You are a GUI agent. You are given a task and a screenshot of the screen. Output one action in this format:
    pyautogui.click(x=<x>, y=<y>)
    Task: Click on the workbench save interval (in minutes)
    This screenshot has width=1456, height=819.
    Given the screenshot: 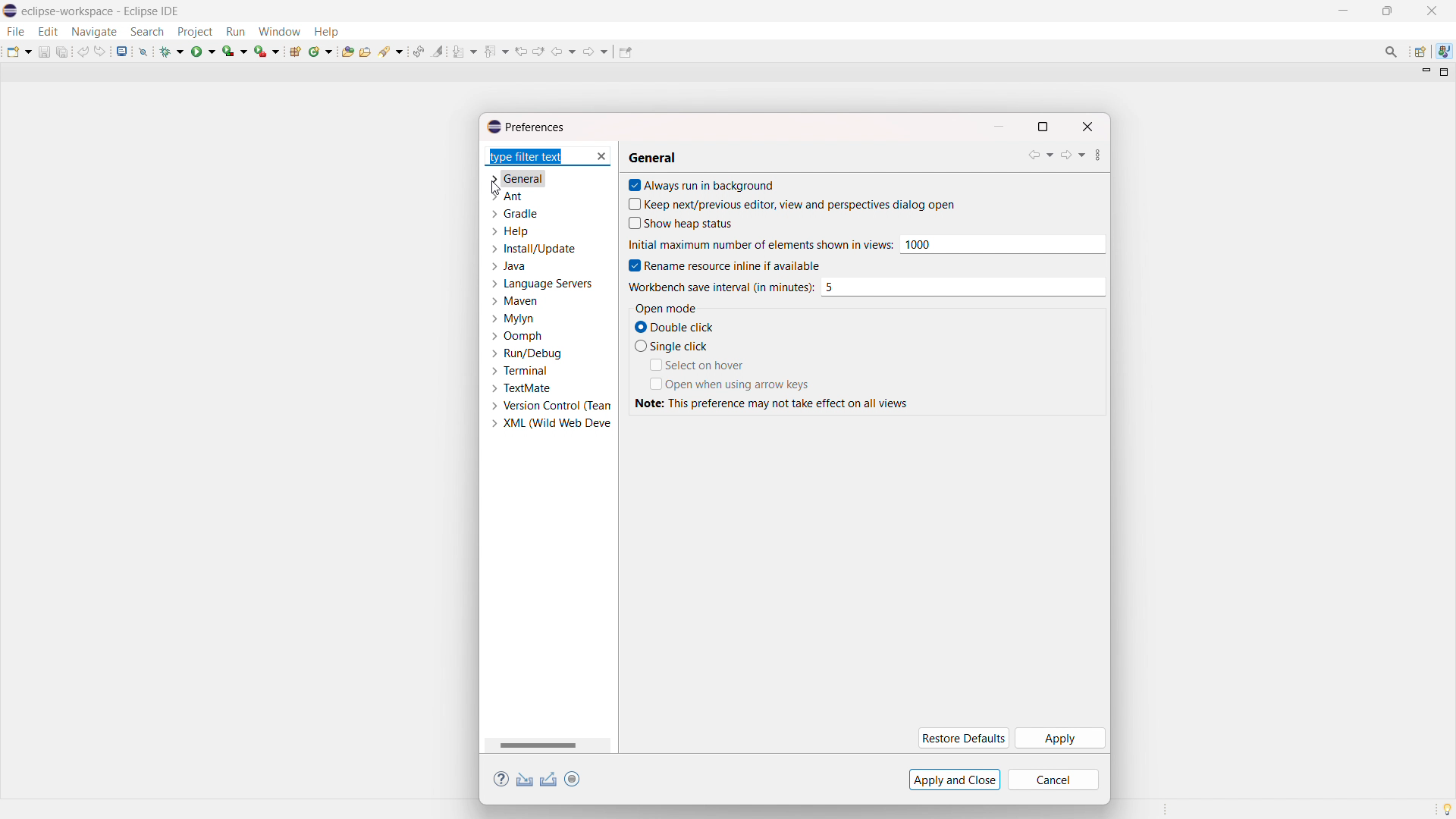 What is the action you would take?
    pyautogui.click(x=962, y=287)
    